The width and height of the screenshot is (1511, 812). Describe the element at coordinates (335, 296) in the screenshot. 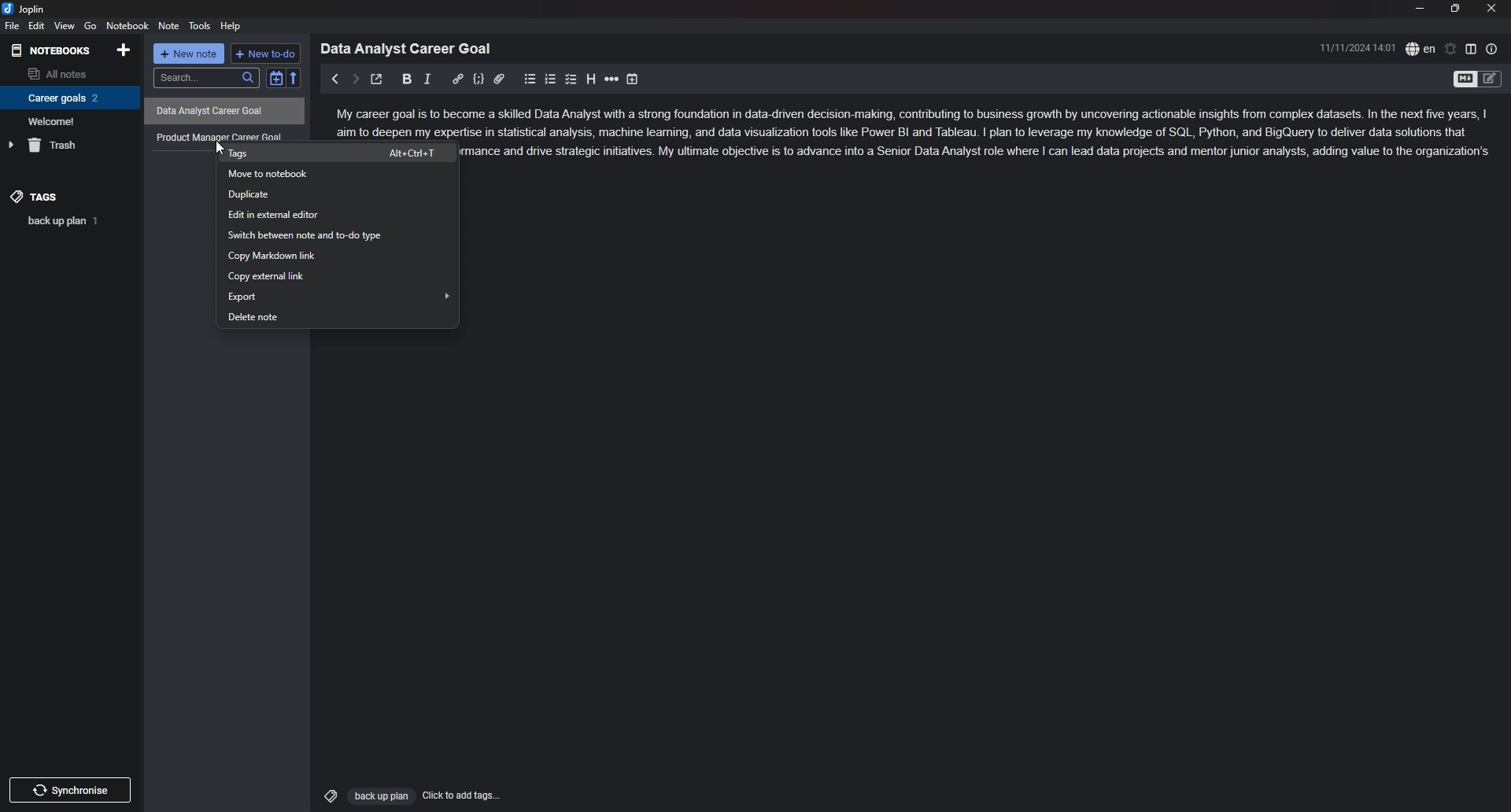

I see `export` at that location.